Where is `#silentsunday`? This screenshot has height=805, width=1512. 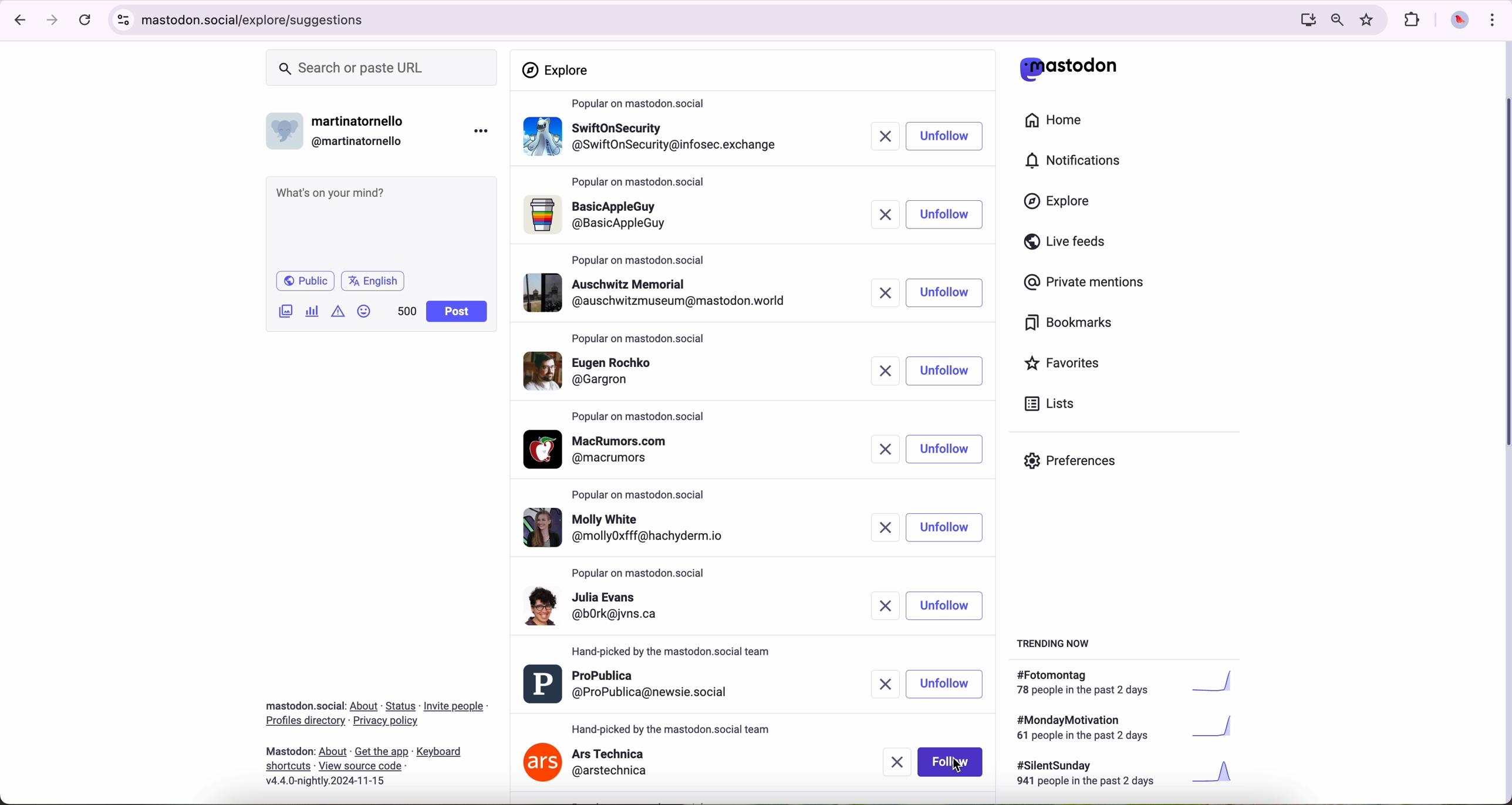
#silentsunday is located at coordinates (1128, 775).